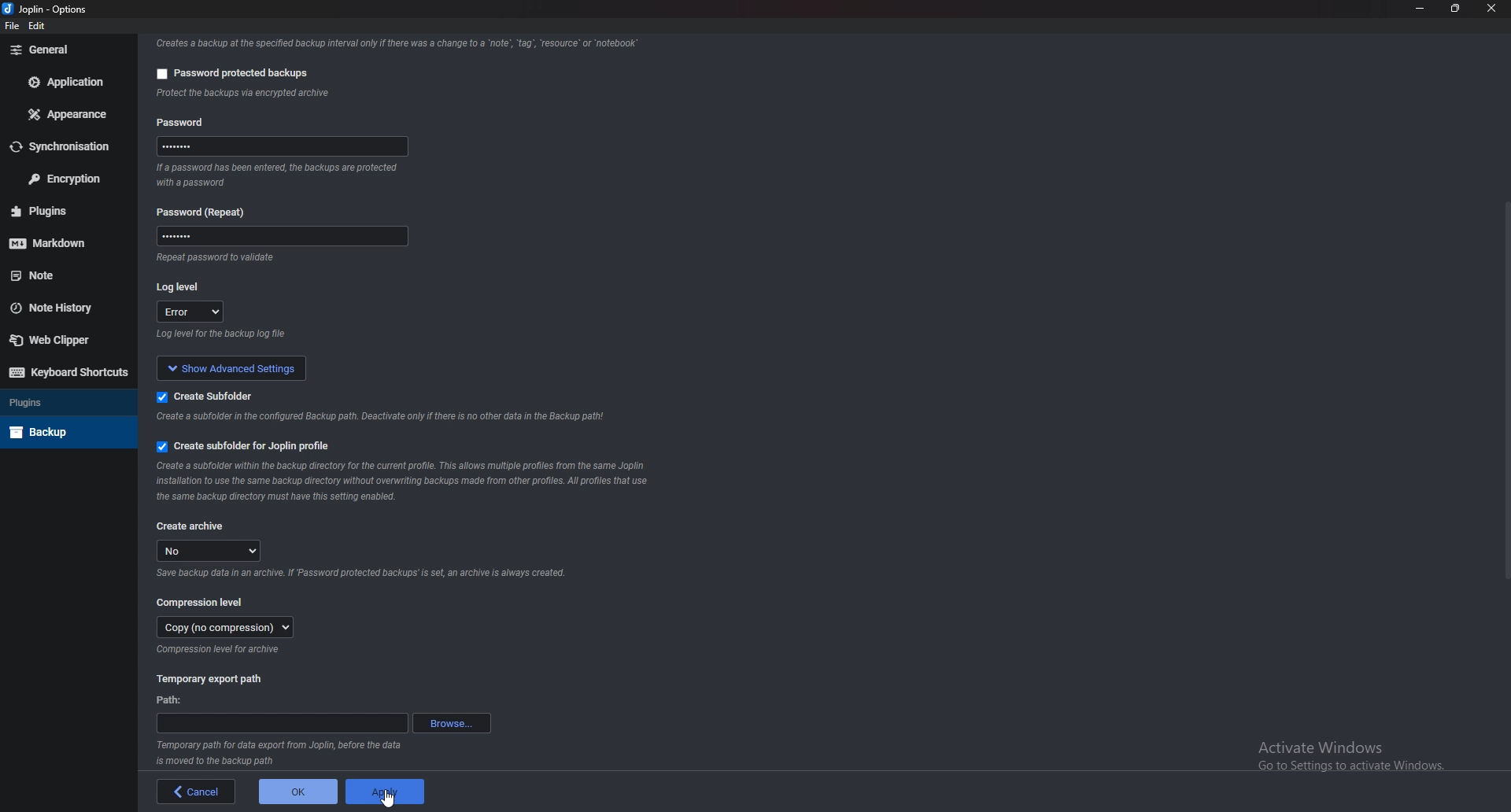  Describe the element at coordinates (360, 576) in the screenshot. I see `Info` at that location.